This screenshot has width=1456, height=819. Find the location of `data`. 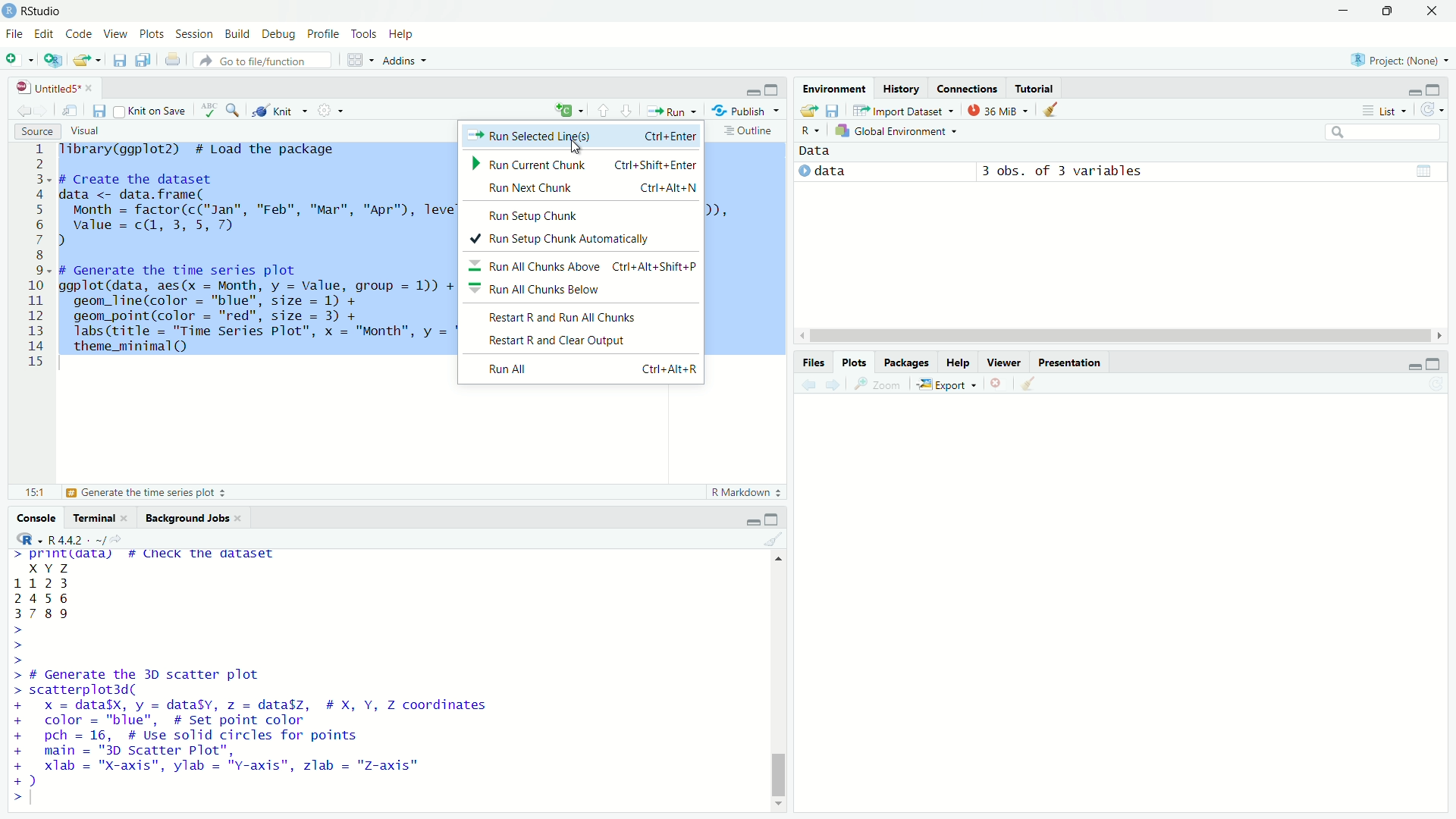

data is located at coordinates (864, 171).